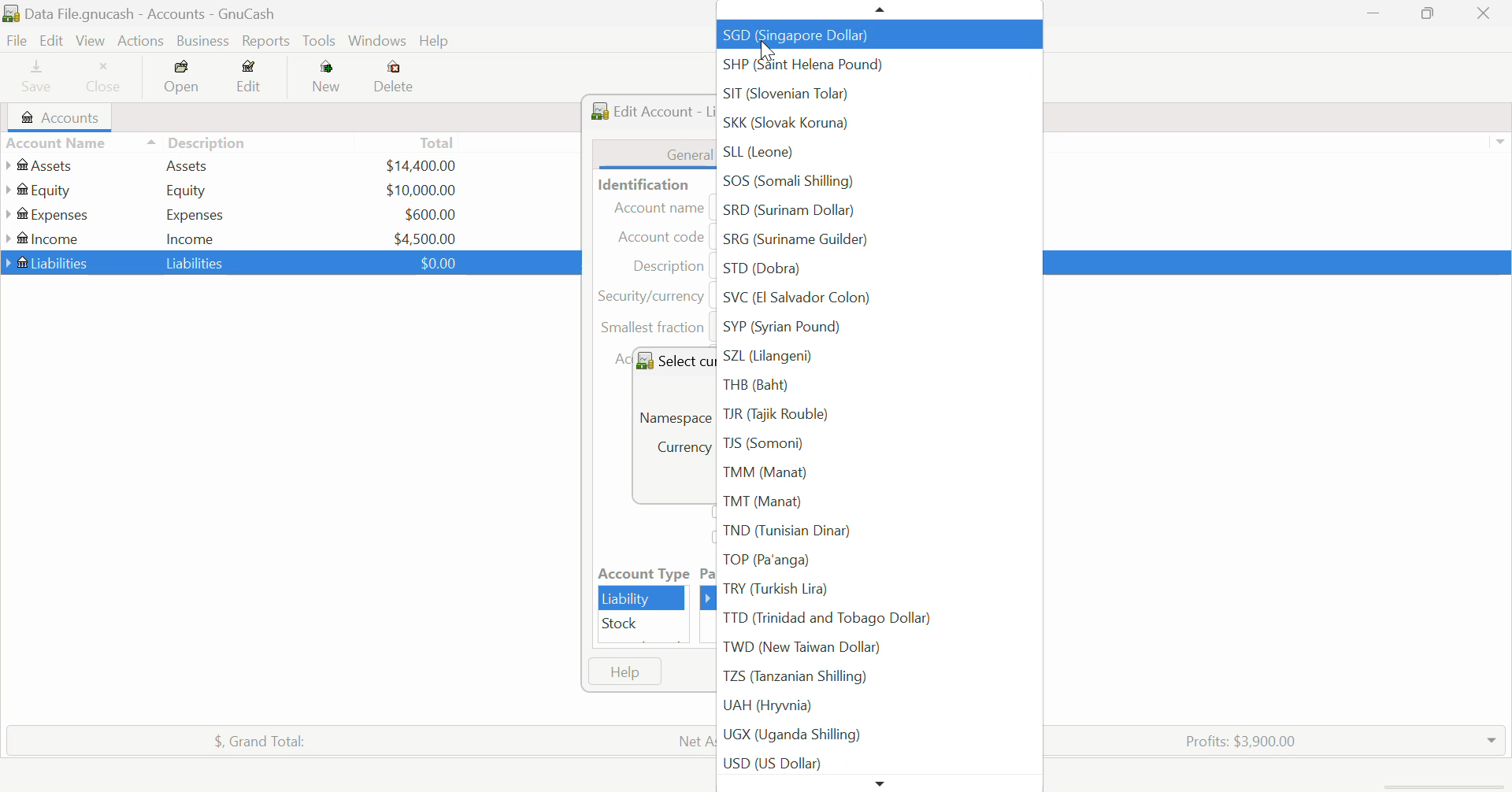  Describe the element at coordinates (877, 415) in the screenshot. I see `TJR` at that location.